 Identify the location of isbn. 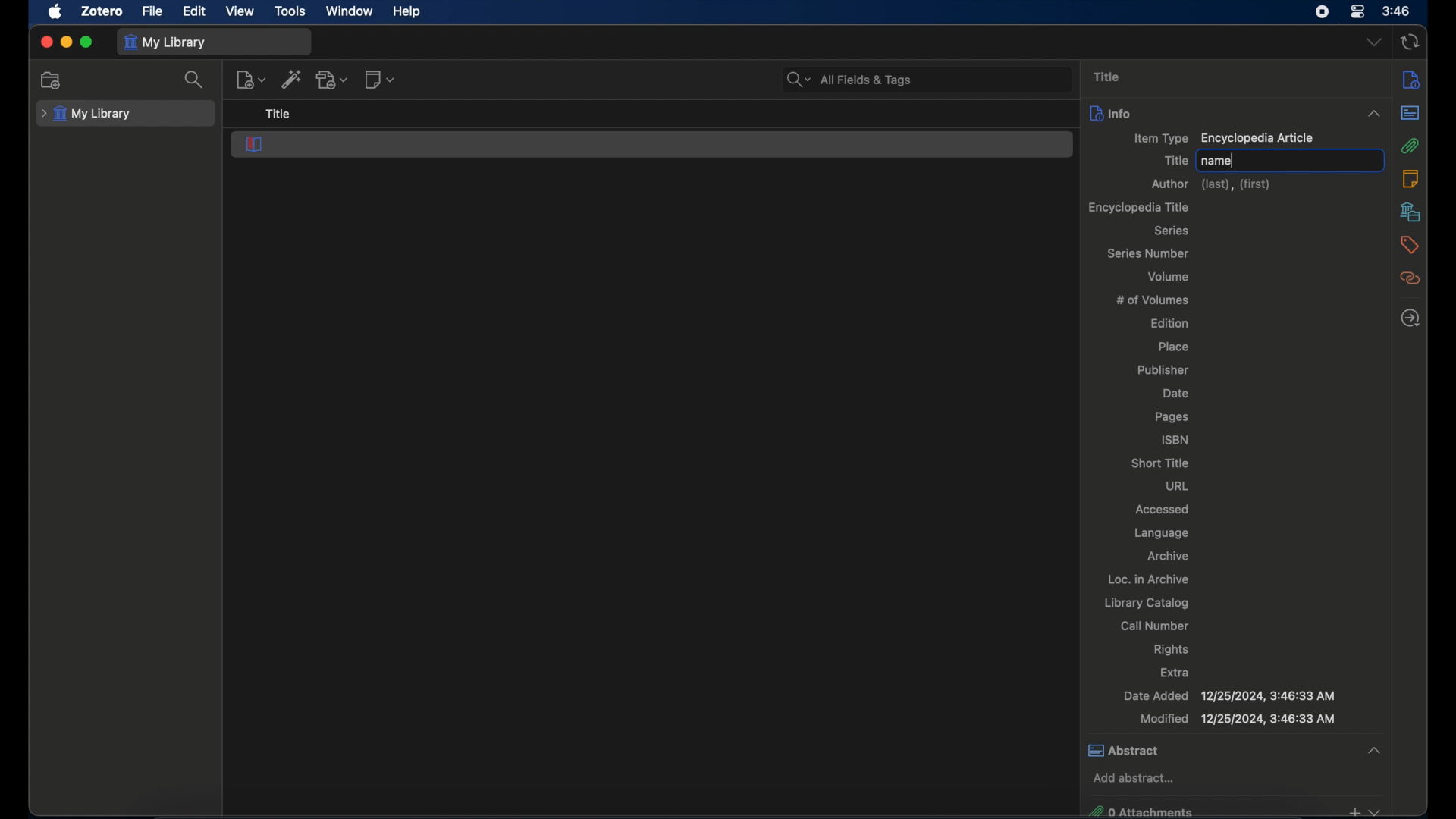
(1175, 439).